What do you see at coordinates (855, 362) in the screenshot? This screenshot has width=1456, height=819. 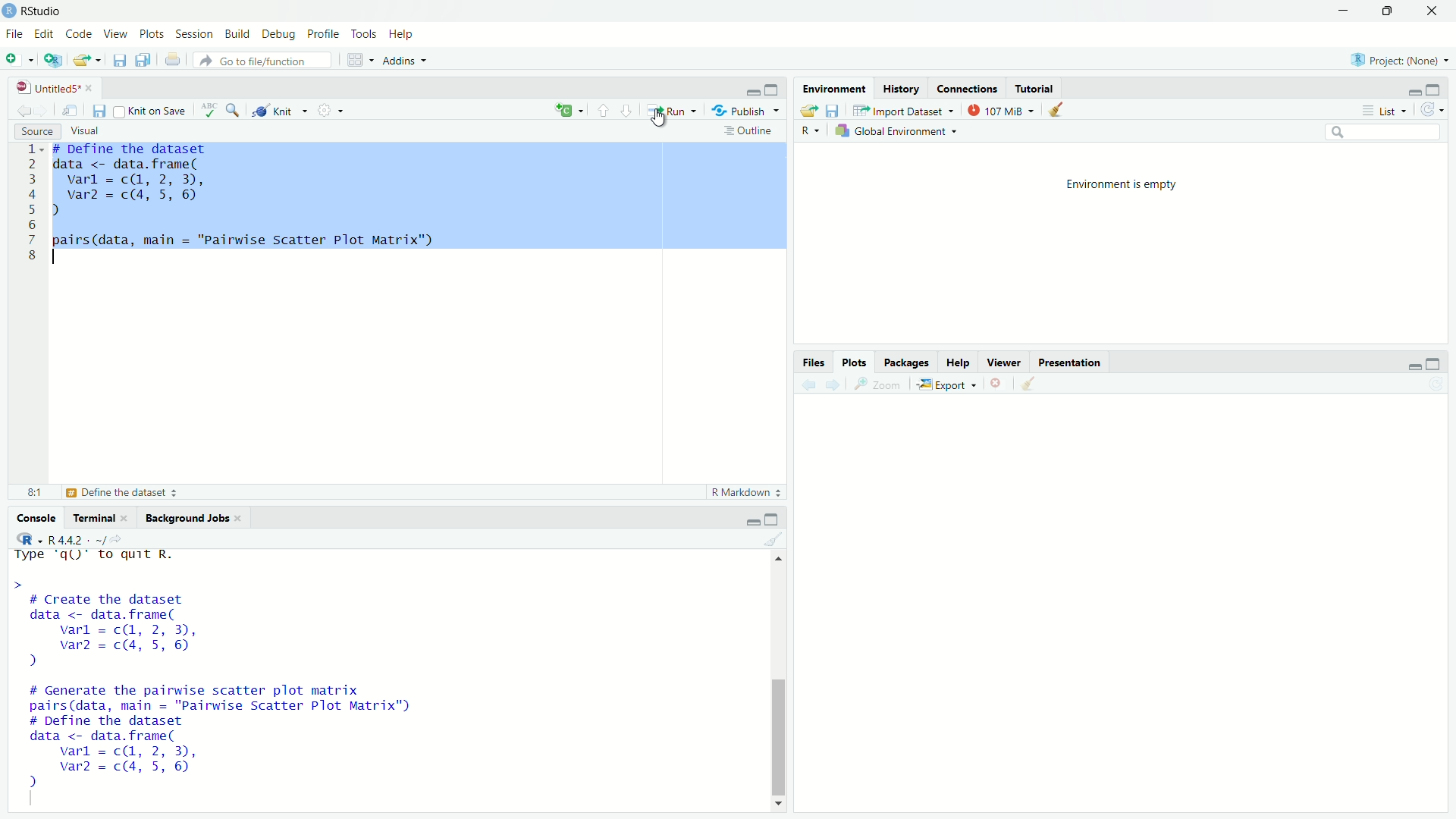 I see `Plots` at bounding box center [855, 362].